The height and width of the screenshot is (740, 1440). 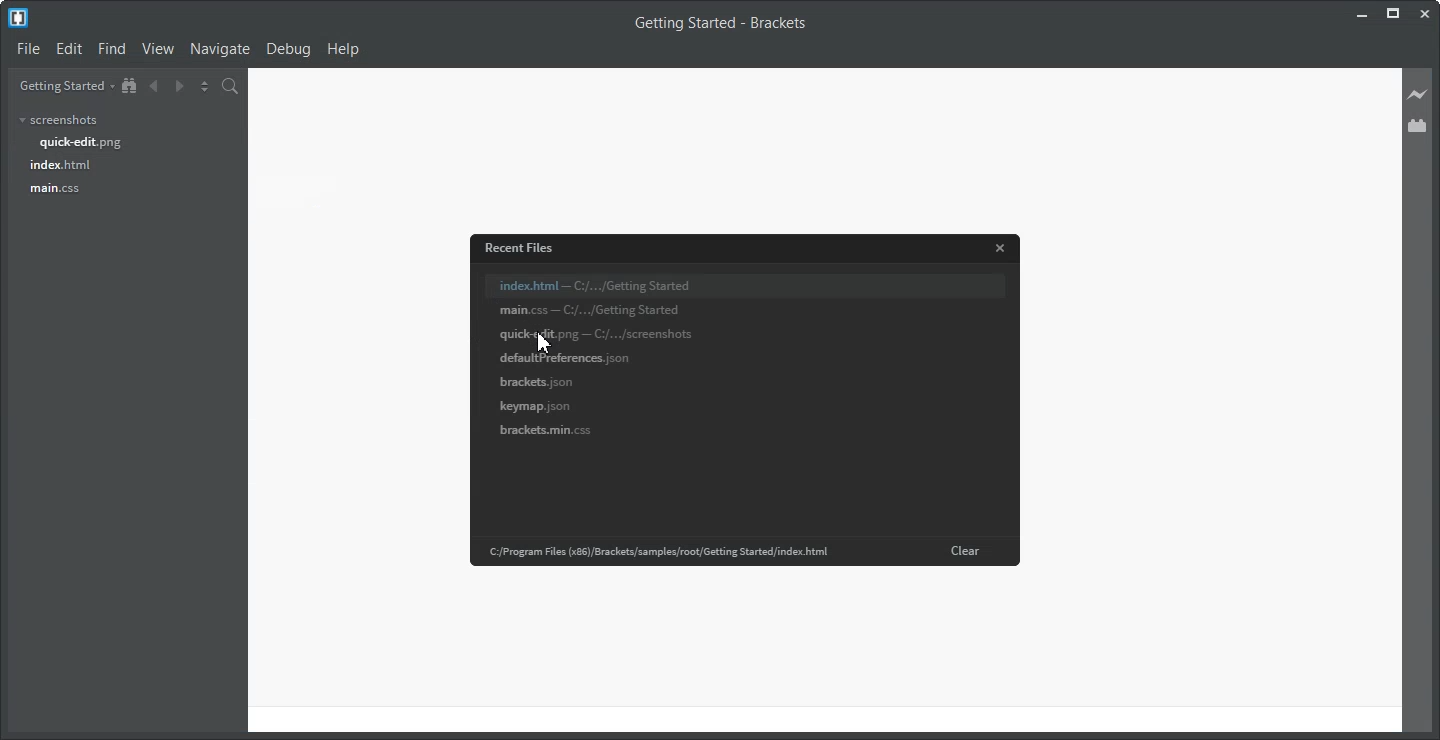 I want to click on Navigate Backward, so click(x=154, y=85).